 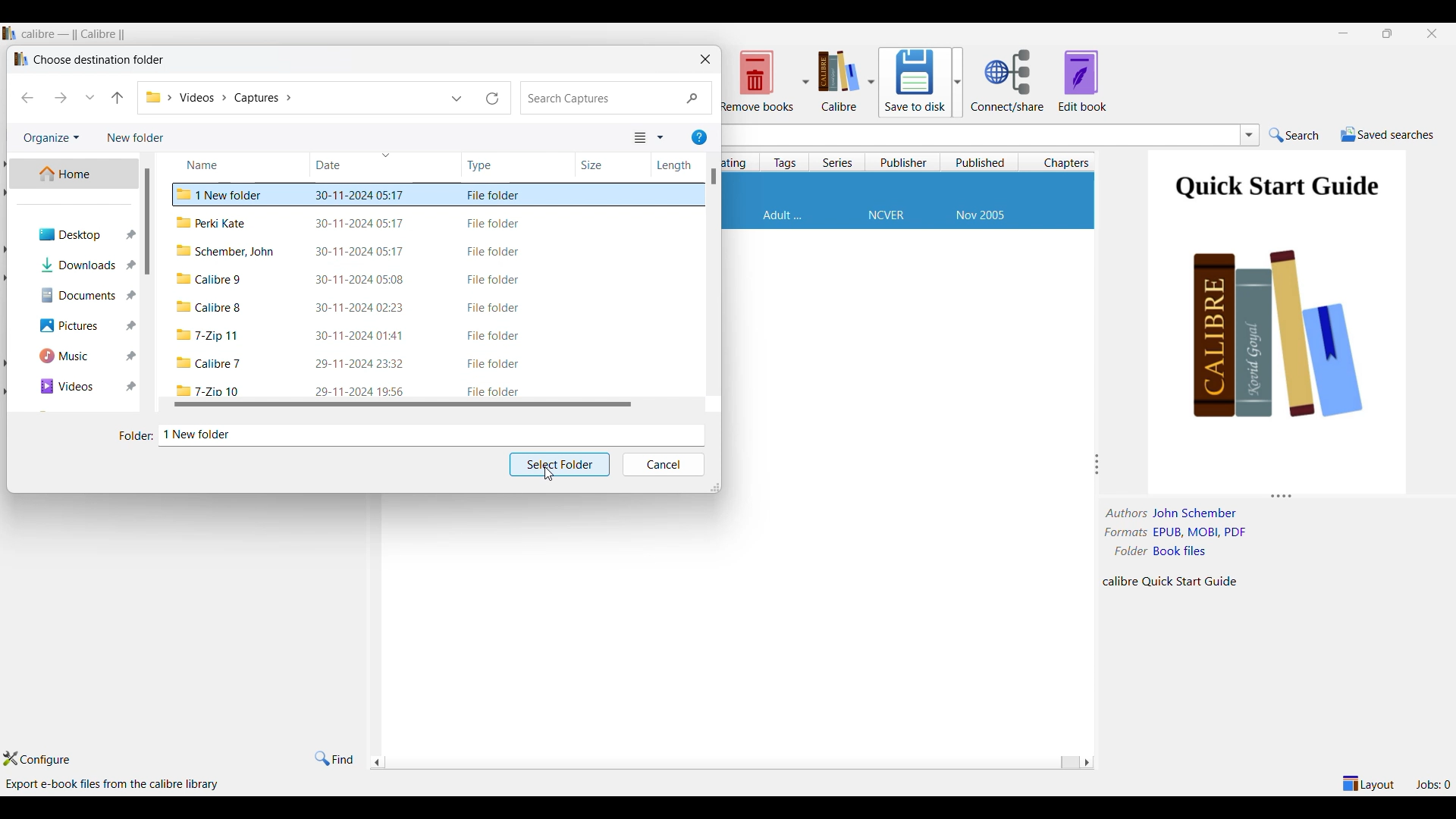 What do you see at coordinates (1388, 33) in the screenshot?
I see `Show interface in a smaller tab` at bounding box center [1388, 33].